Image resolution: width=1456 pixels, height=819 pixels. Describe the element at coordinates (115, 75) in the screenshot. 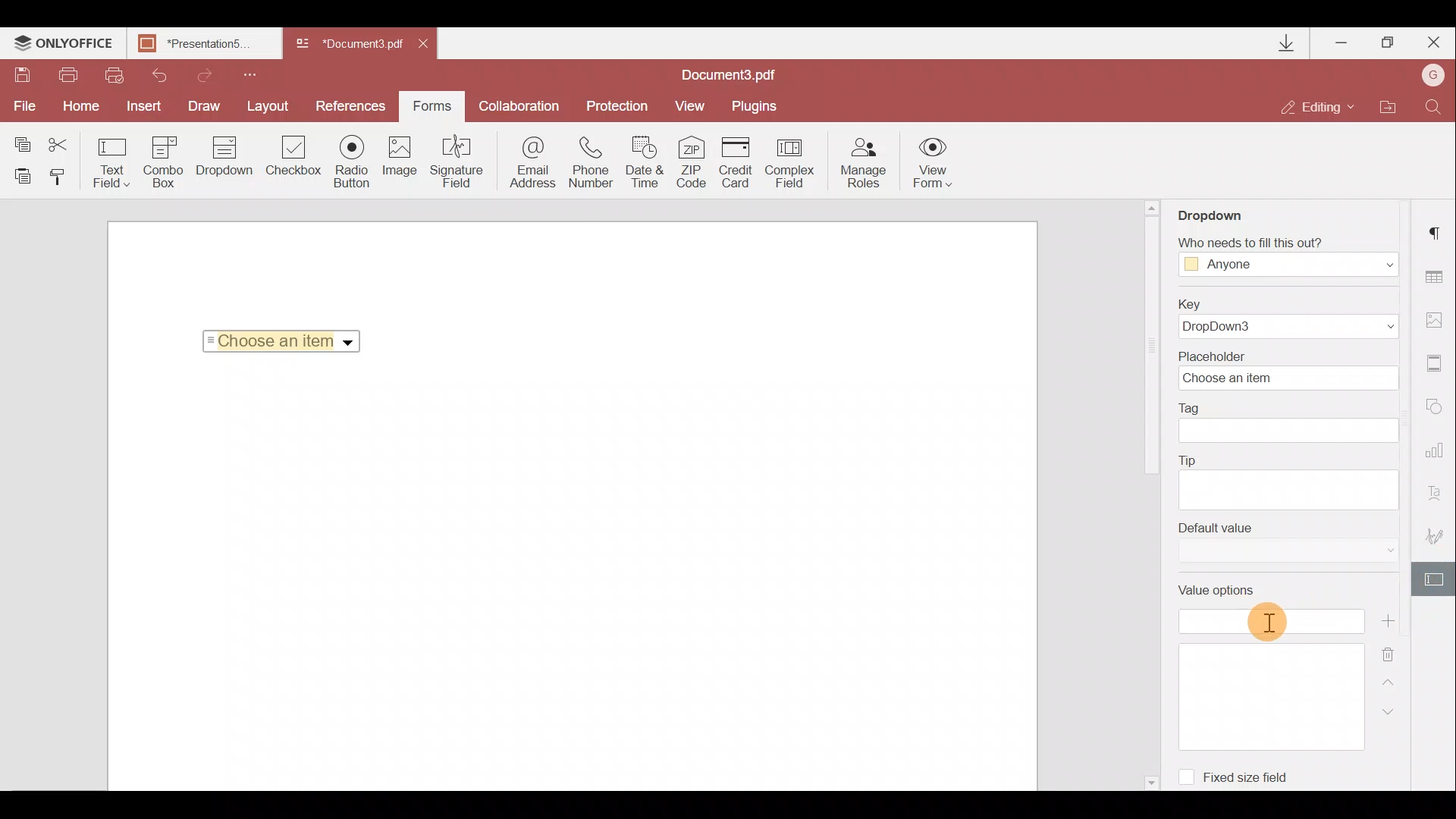

I see `Quick print` at that location.